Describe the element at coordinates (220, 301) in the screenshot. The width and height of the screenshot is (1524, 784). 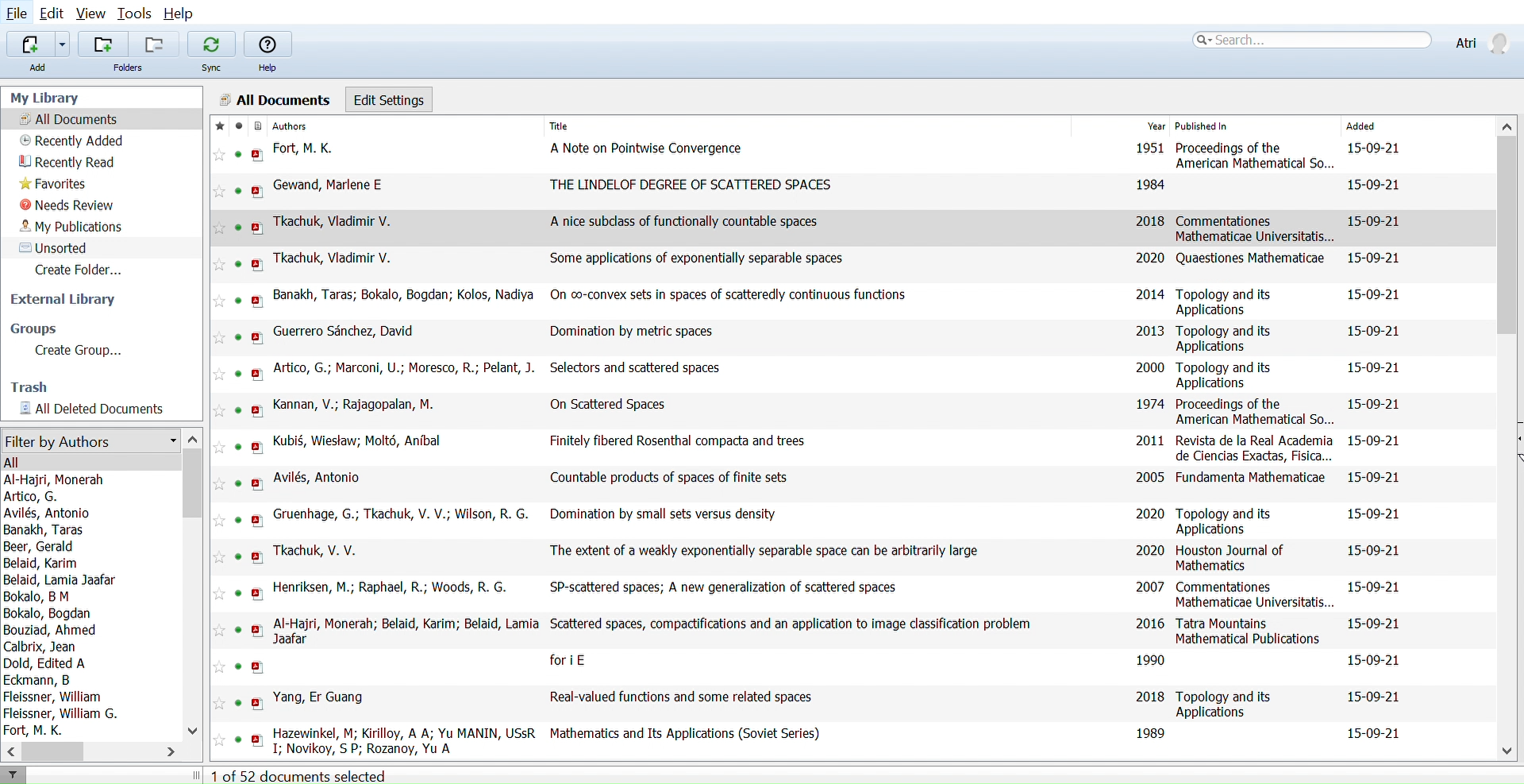
I see `Add this reference to favorites` at that location.